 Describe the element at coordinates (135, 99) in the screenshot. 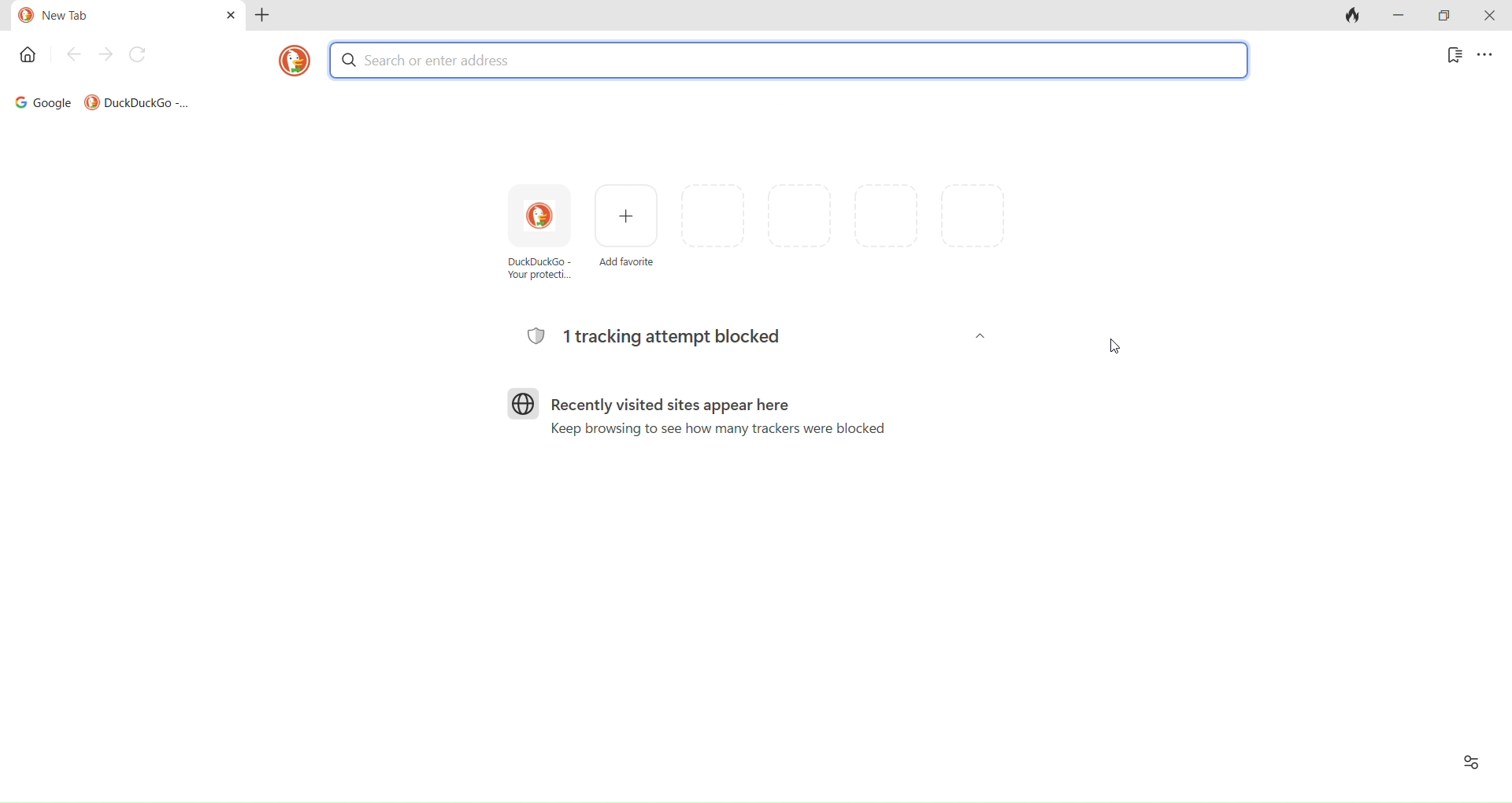

I see `bookmarked site ` at that location.